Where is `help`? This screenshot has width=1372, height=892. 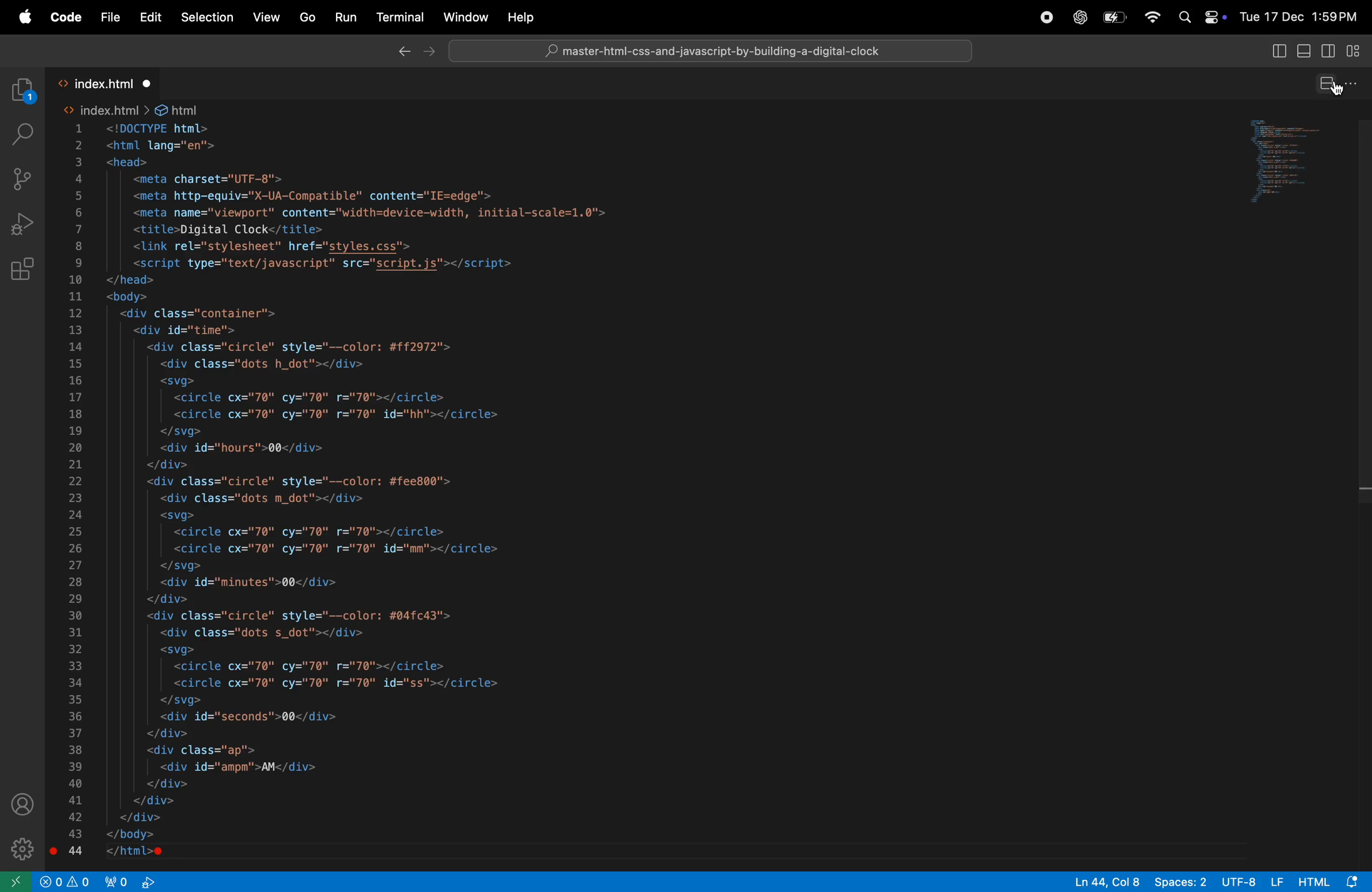 help is located at coordinates (517, 17).